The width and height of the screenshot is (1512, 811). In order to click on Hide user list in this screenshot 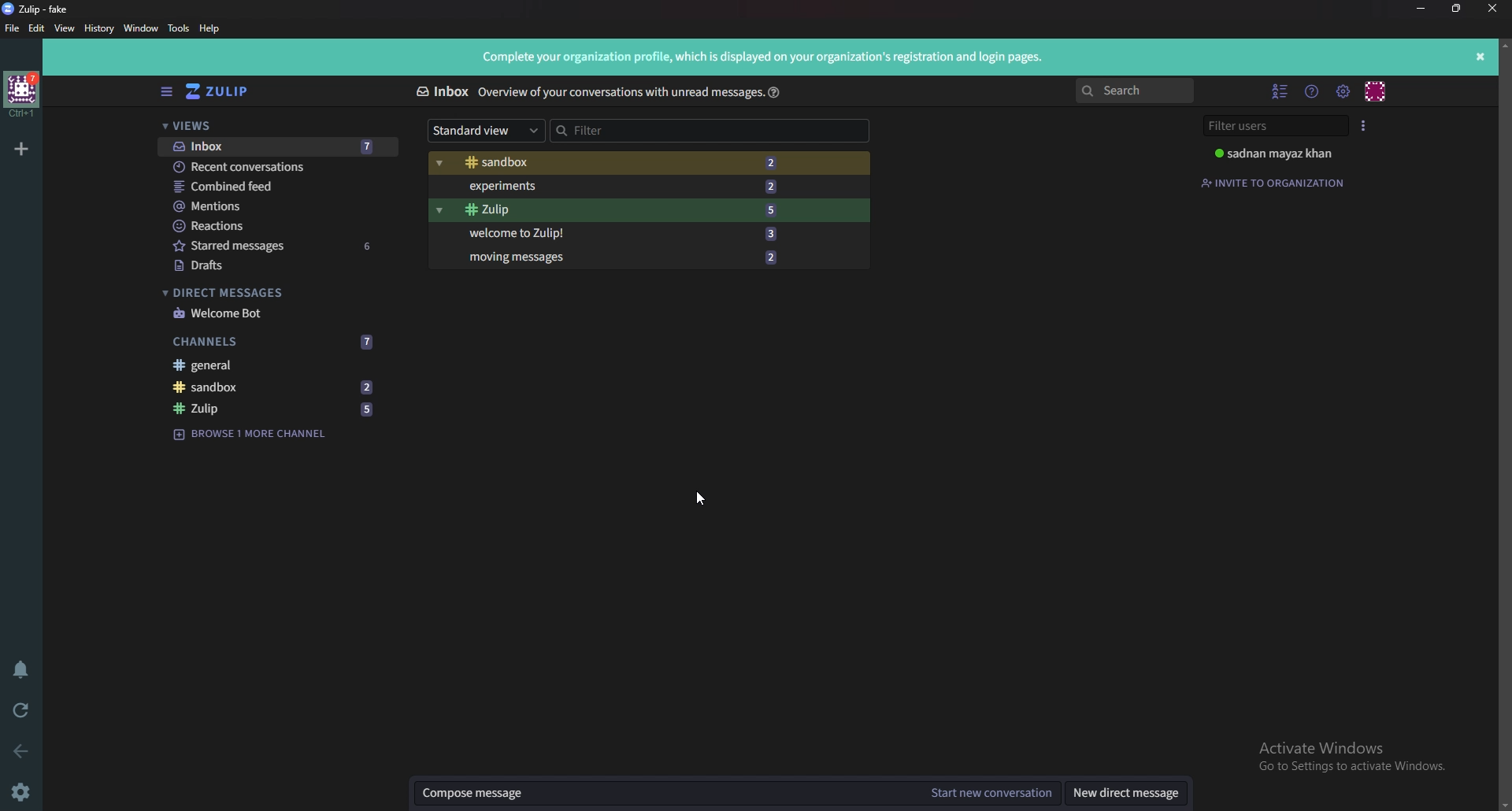, I will do `click(1280, 91)`.